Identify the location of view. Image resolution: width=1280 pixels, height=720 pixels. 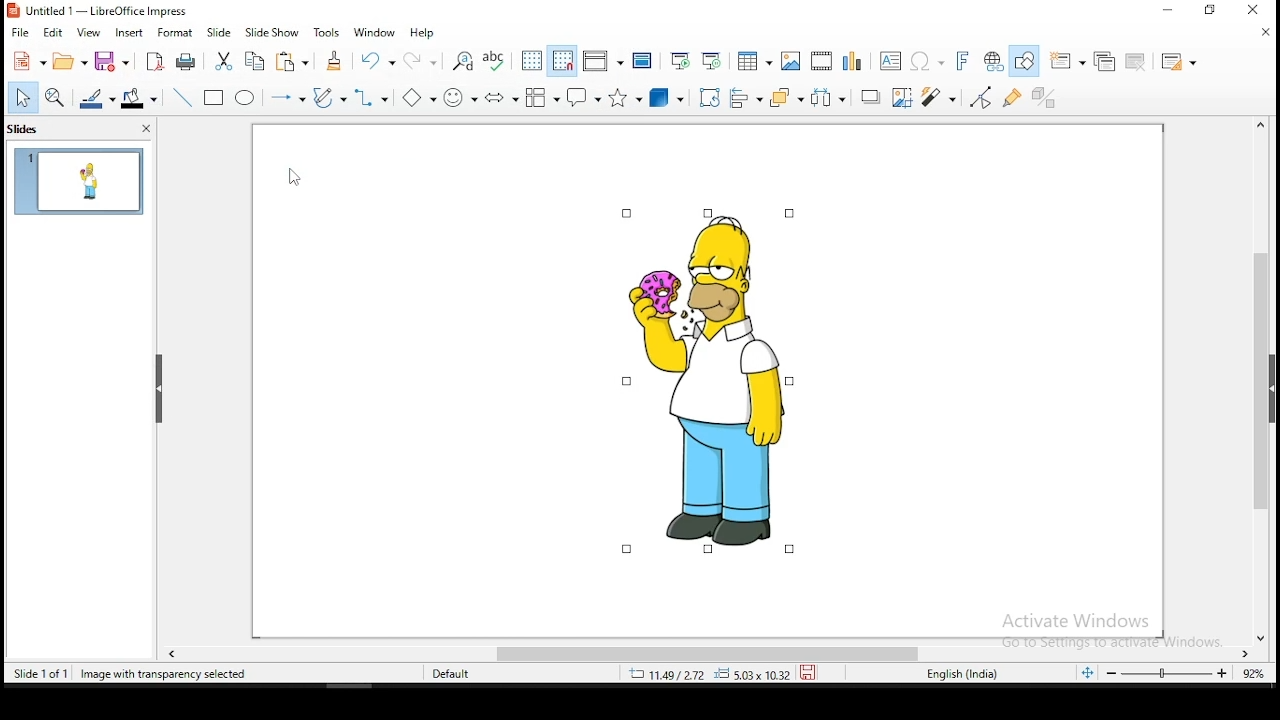
(88, 35).